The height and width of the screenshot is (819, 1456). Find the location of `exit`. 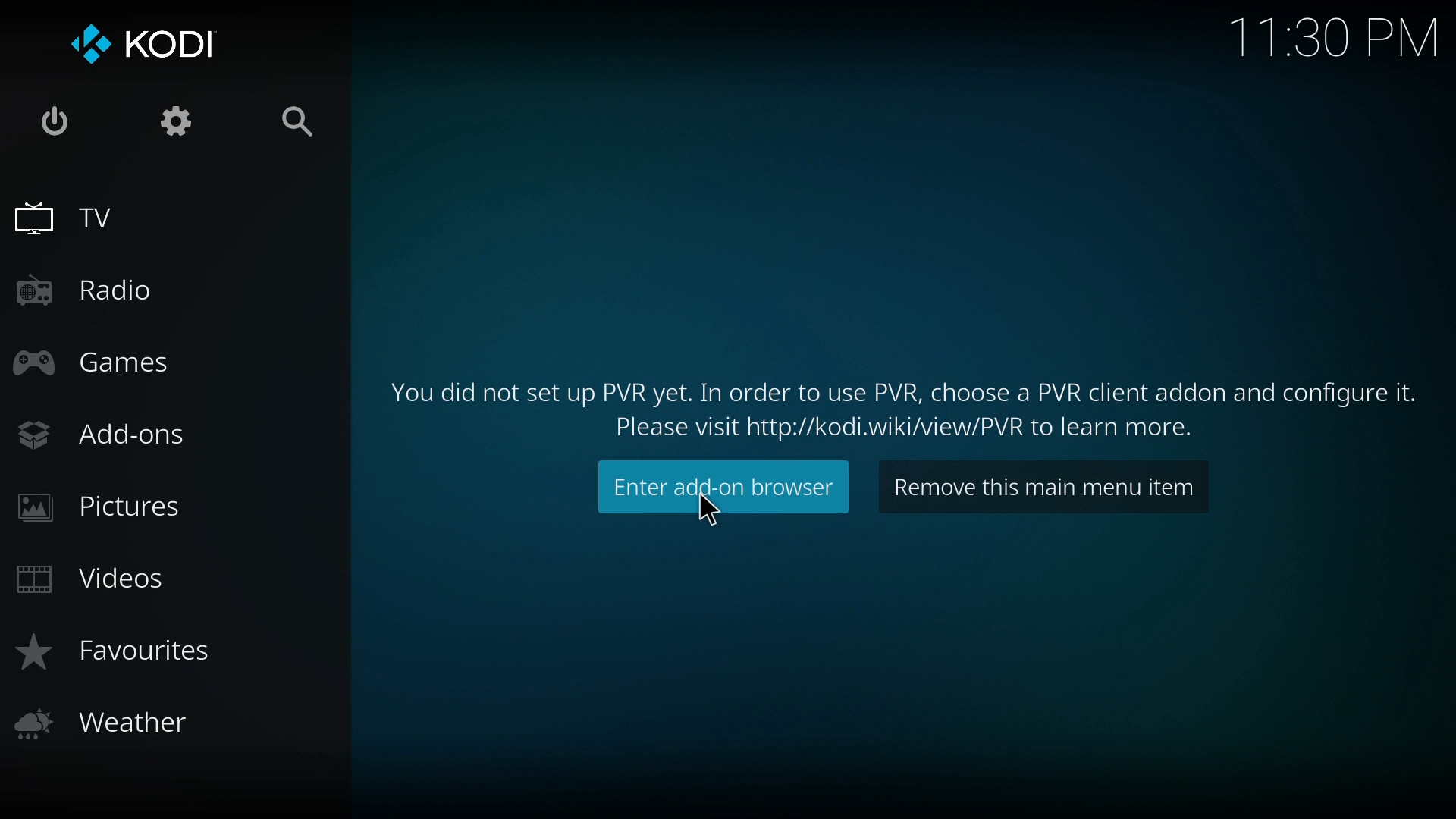

exit is located at coordinates (54, 124).